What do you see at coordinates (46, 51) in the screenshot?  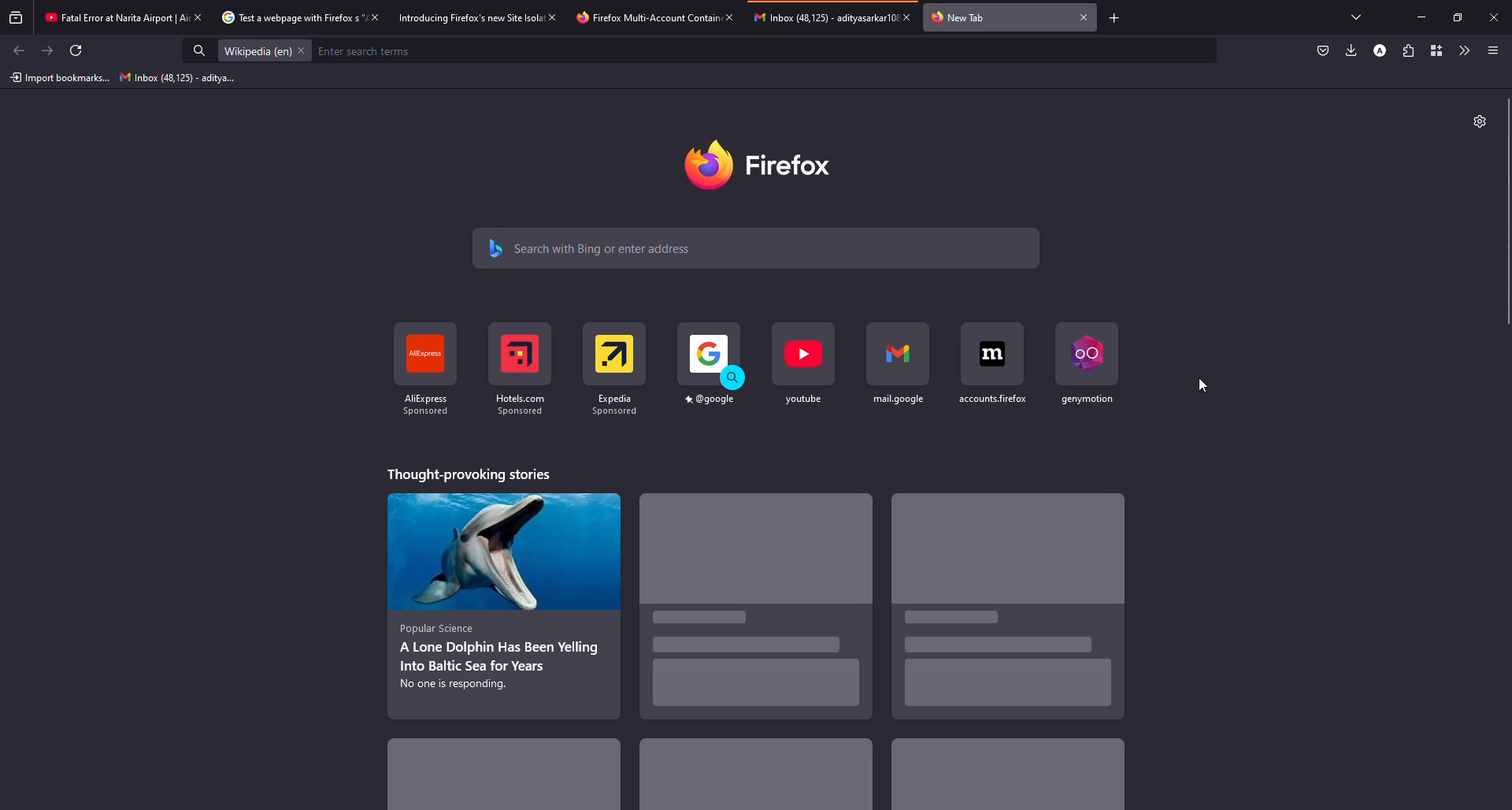 I see `forward` at bounding box center [46, 51].